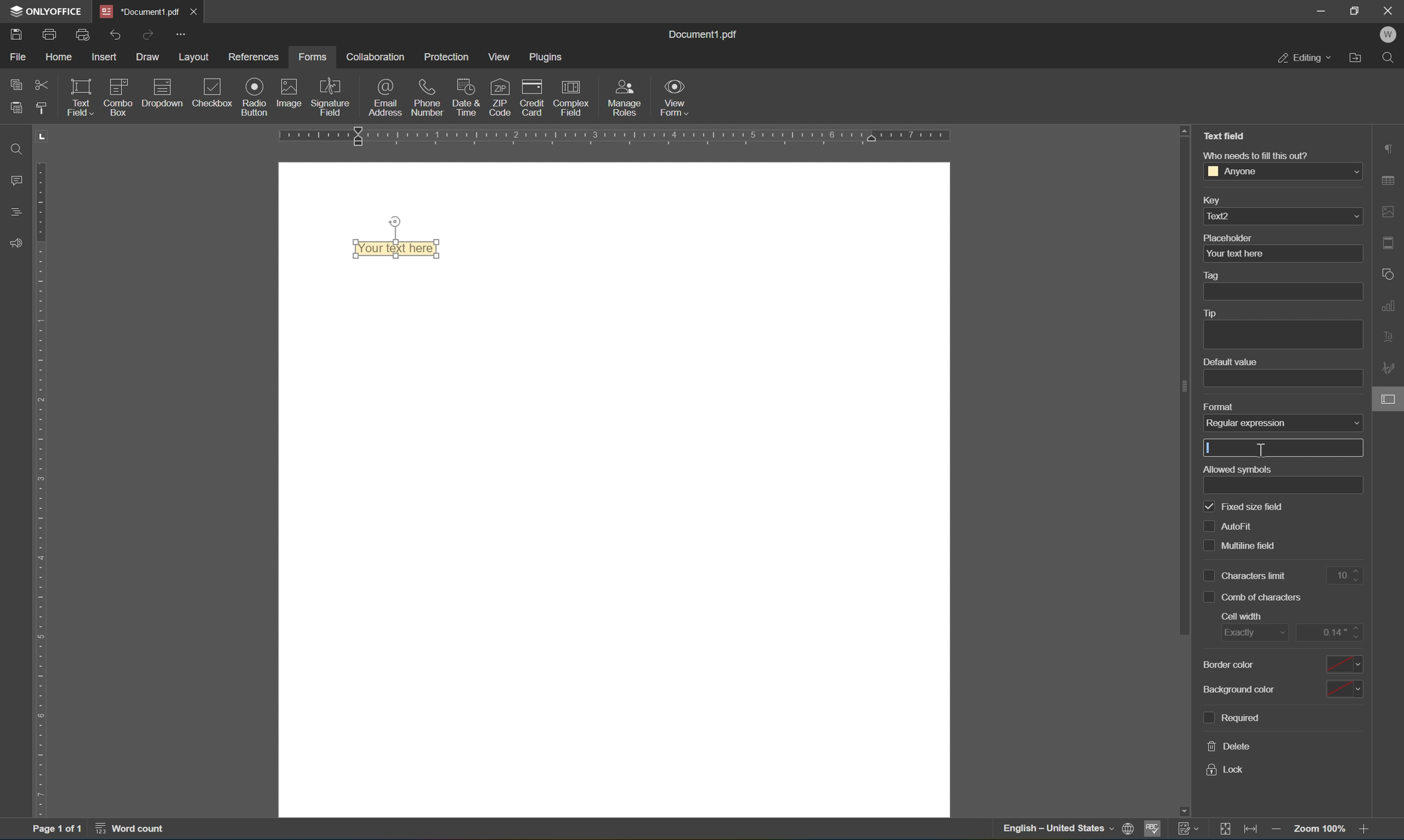  What do you see at coordinates (1242, 576) in the screenshot?
I see `characters limit` at bounding box center [1242, 576].